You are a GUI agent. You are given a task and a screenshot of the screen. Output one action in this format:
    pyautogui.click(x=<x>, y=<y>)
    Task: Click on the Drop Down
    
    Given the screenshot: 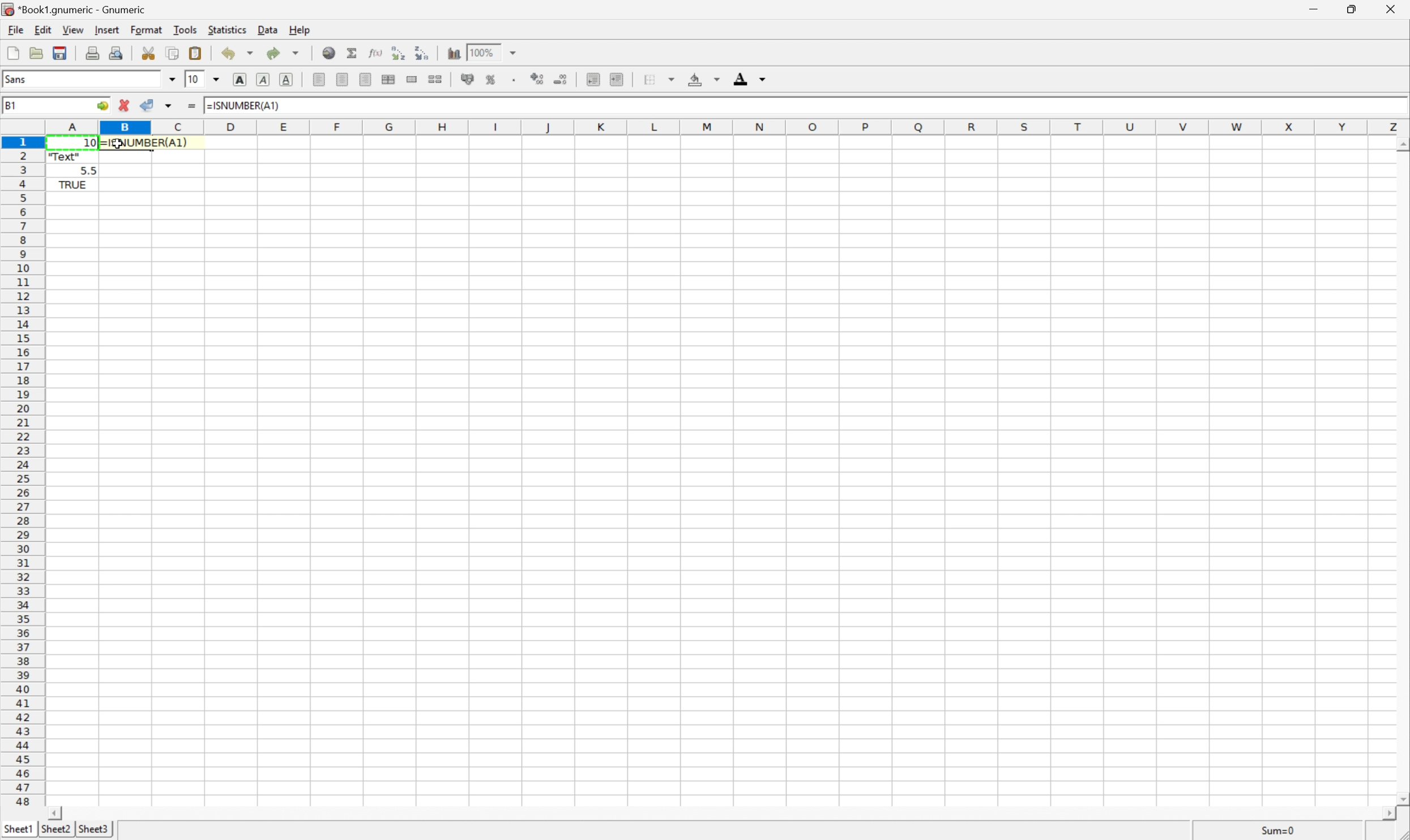 What is the action you would take?
    pyautogui.click(x=512, y=52)
    